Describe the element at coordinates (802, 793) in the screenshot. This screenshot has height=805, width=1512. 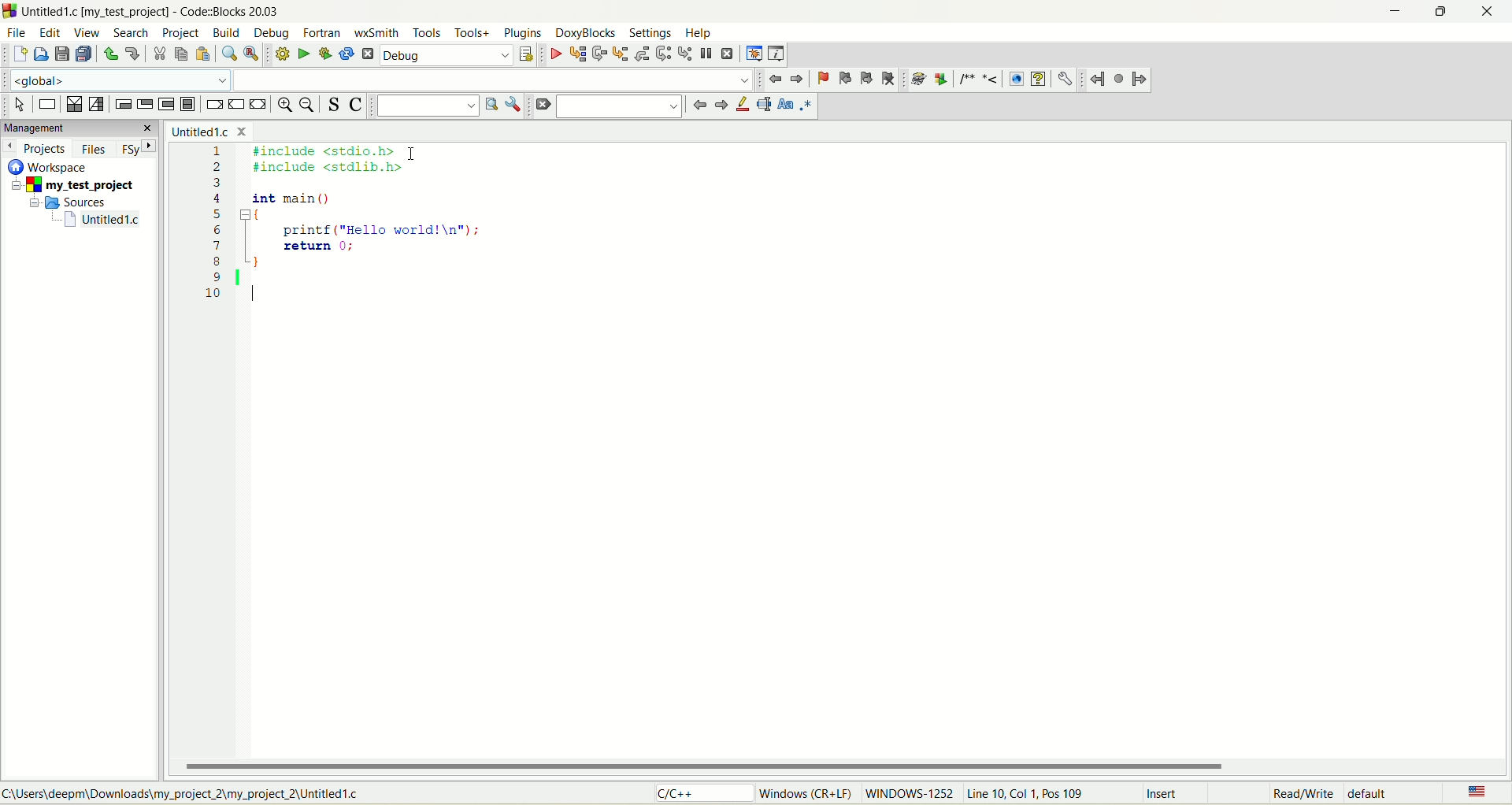
I see `windows (CR+LF)` at that location.